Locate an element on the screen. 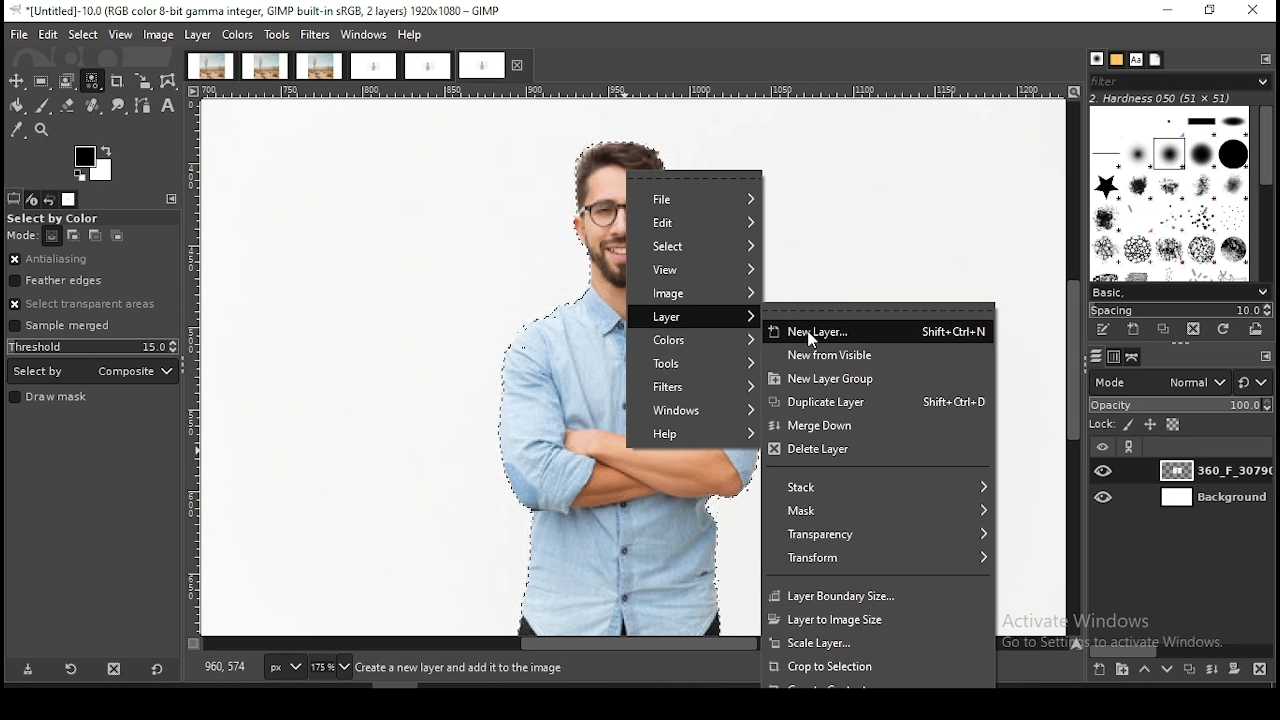 The image size is (1280, 720). document history is located at coordinates (1156, 59).